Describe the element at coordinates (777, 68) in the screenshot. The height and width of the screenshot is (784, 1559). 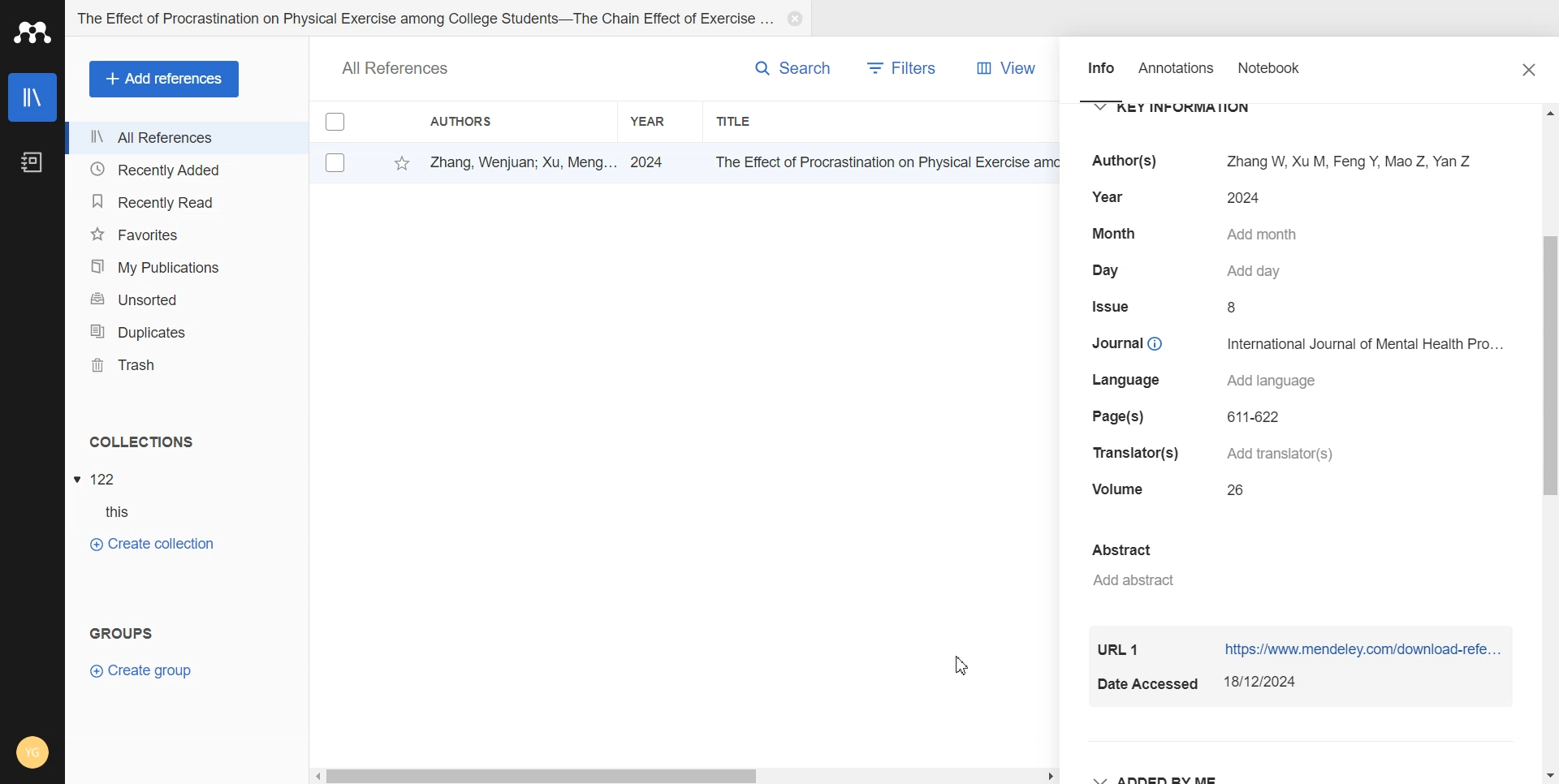
I see `Search` at that location.